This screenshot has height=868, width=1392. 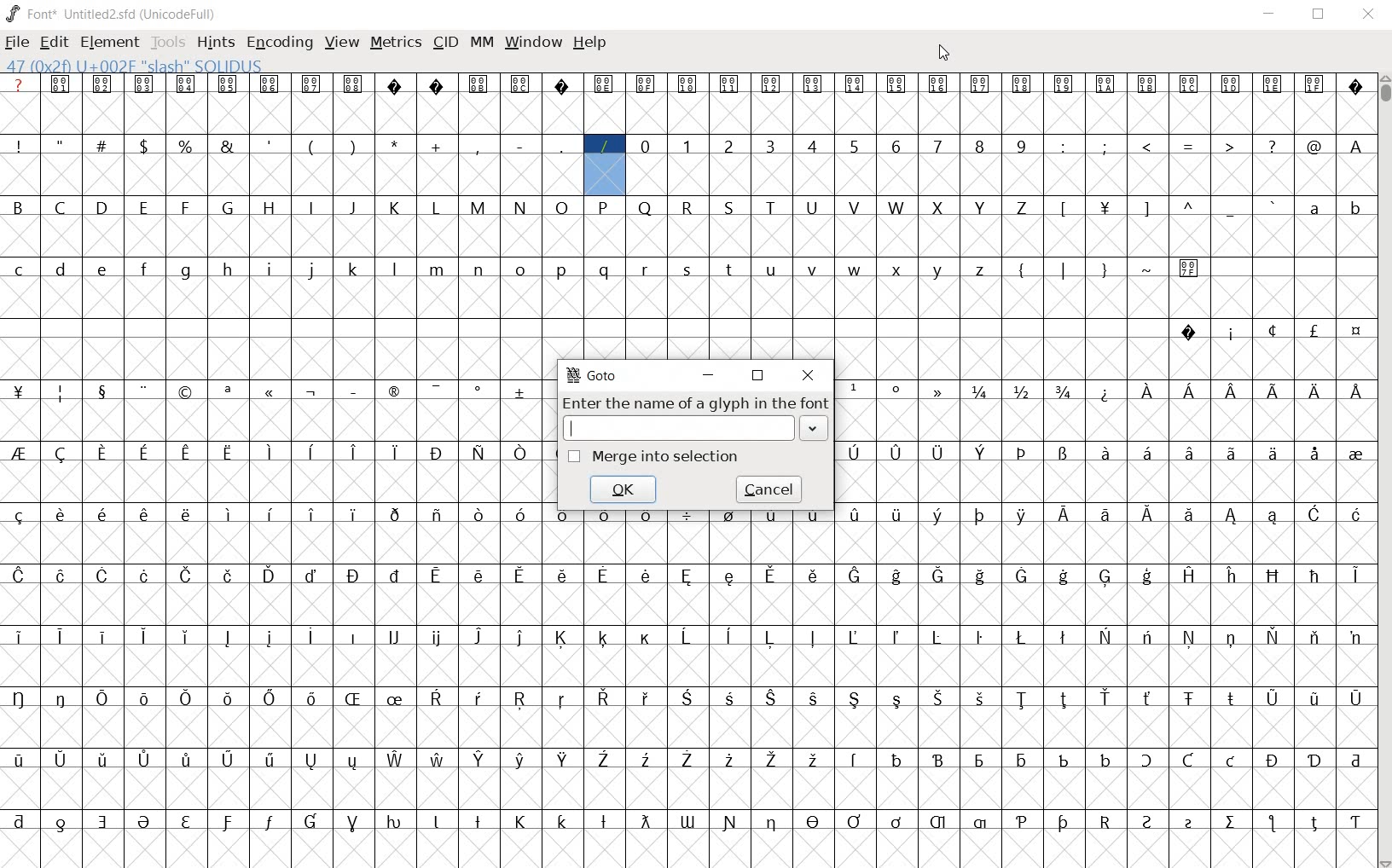 I want to click on glyph, so click(x=979, y=84).